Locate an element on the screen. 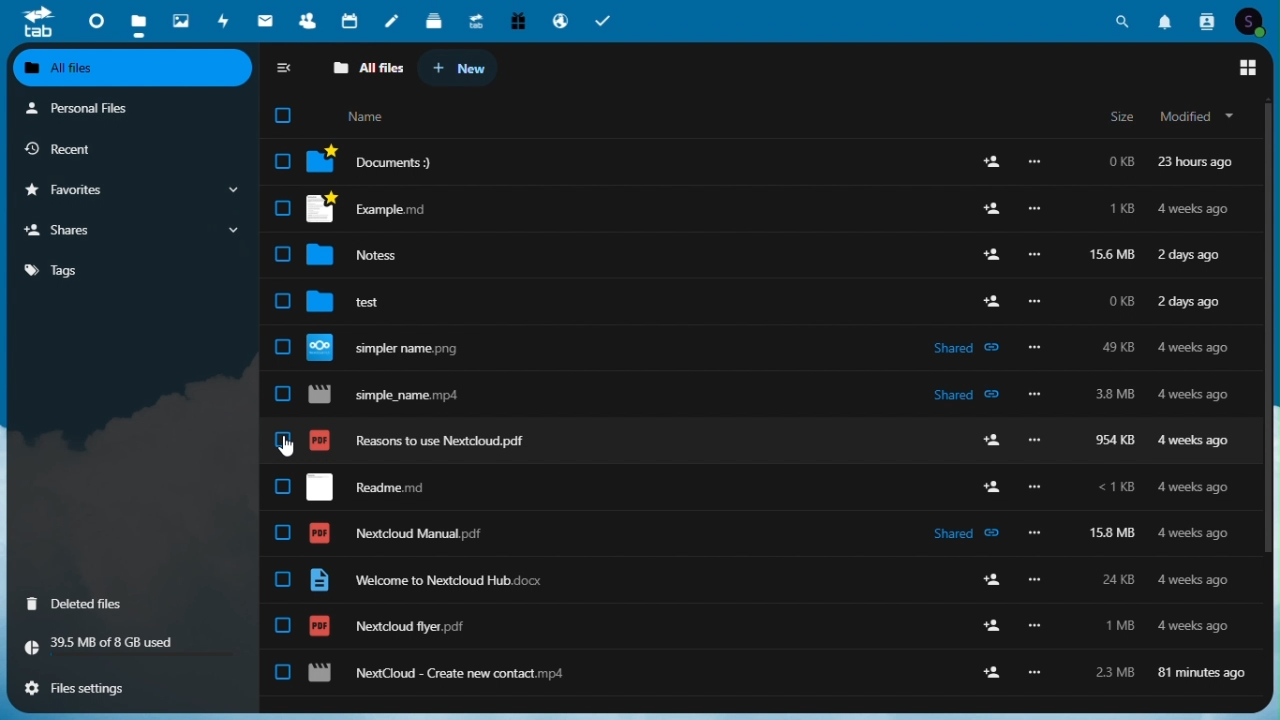 This screenshot has height=720, width=1280. test is located at coordinates (368, 299).